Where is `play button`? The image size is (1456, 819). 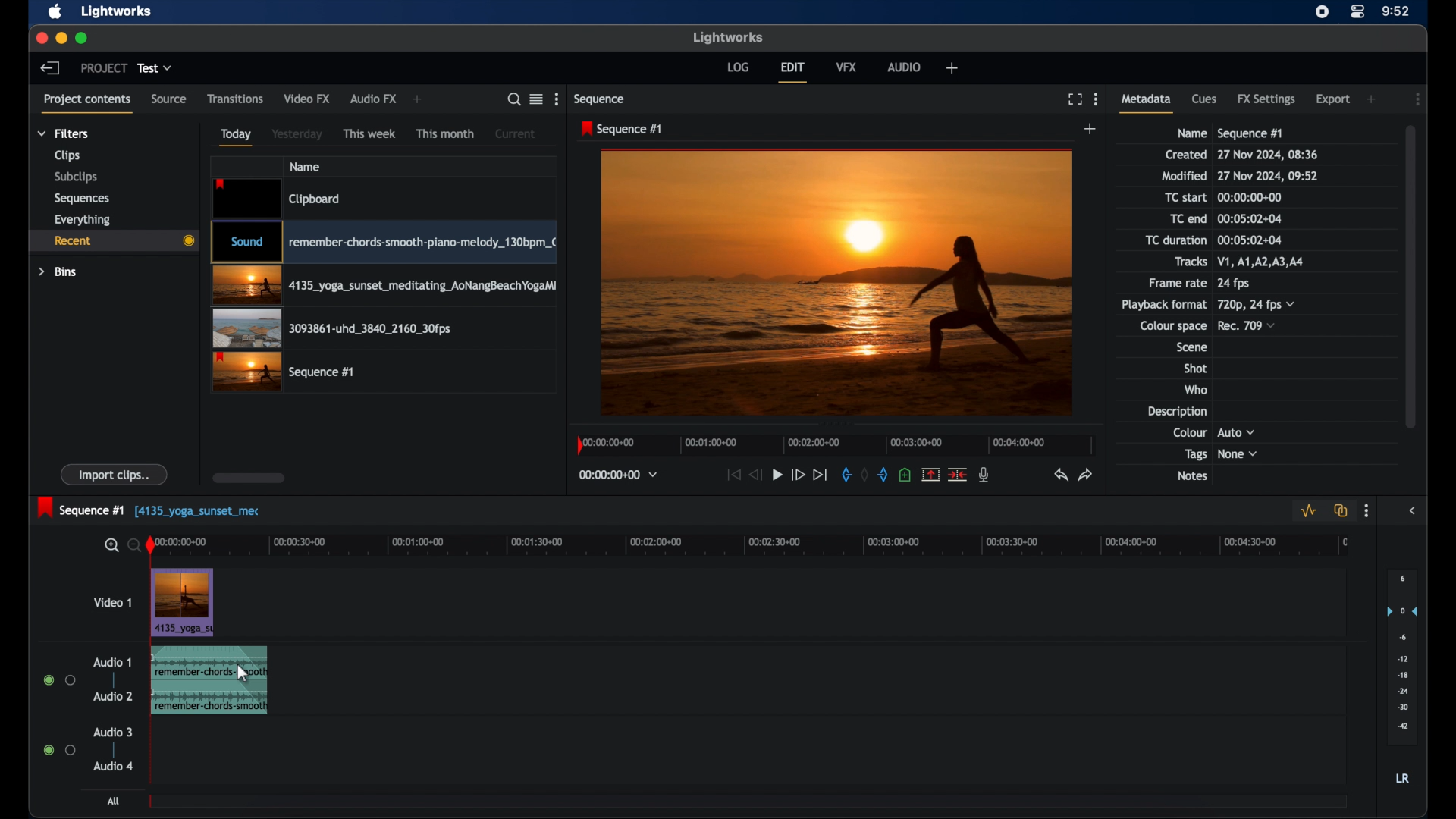
play button is located at coordinates (777, 474).